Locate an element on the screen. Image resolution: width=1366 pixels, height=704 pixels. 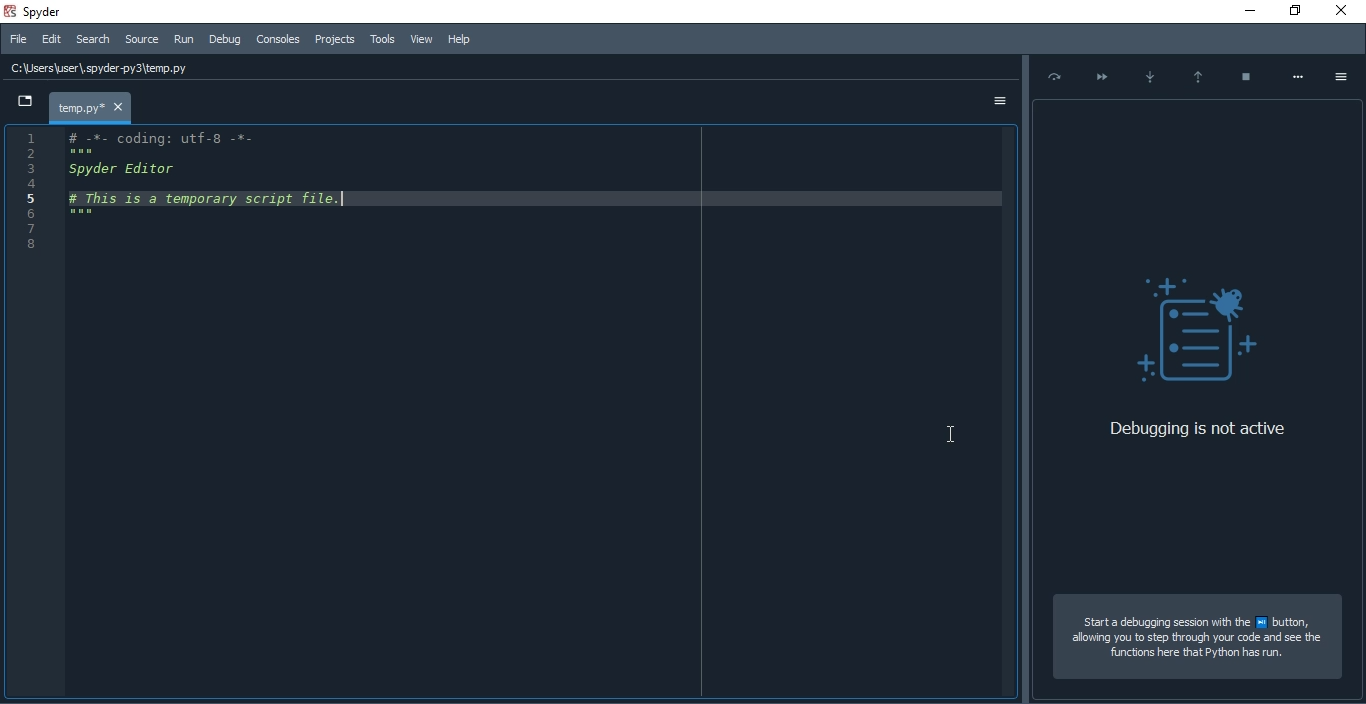
Debugging is not active is located at coordinates (1197, 431).